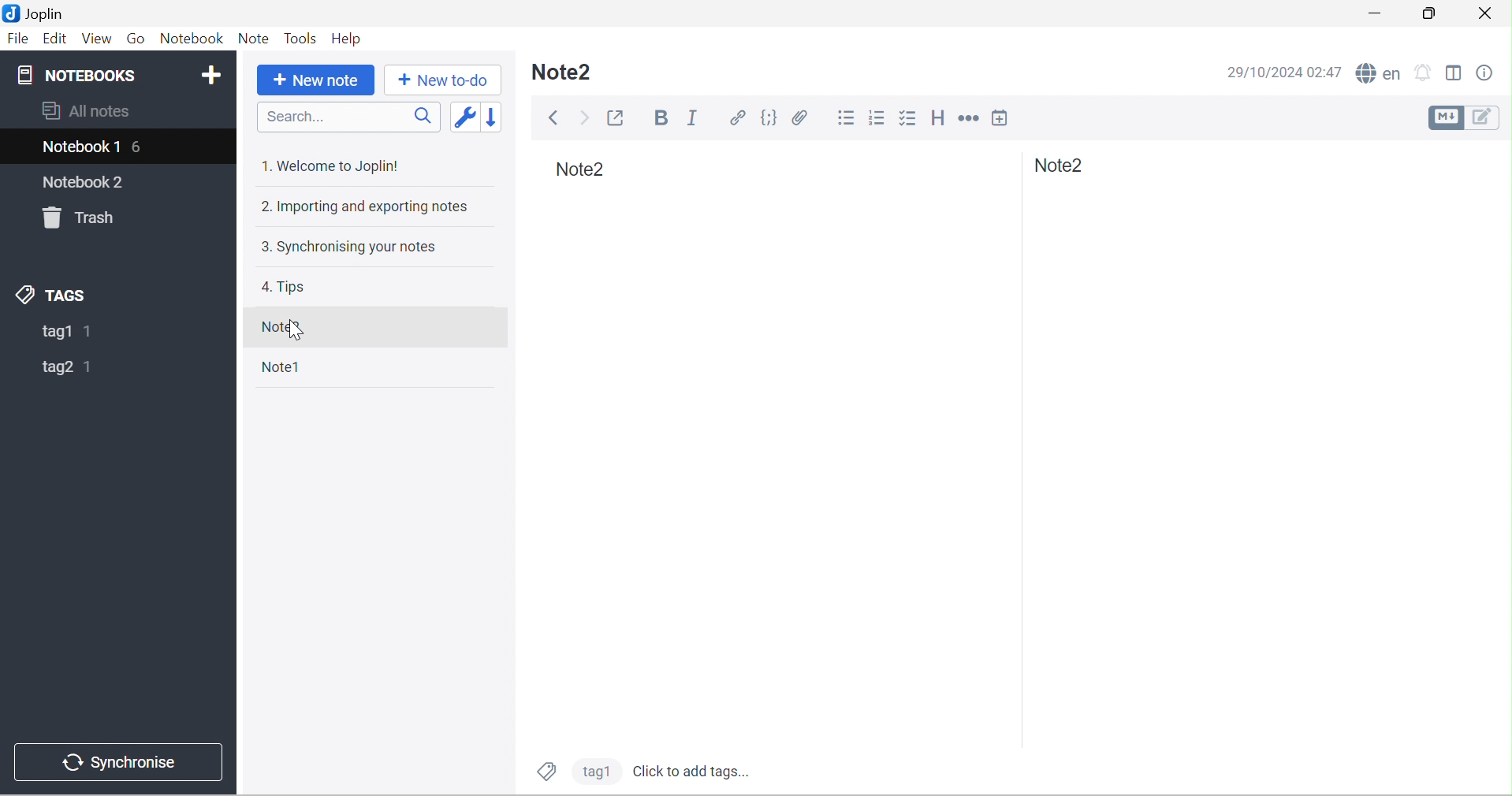 This screenshot has width=1512, height=796. I want to click on Attach file, so click(799, 117).